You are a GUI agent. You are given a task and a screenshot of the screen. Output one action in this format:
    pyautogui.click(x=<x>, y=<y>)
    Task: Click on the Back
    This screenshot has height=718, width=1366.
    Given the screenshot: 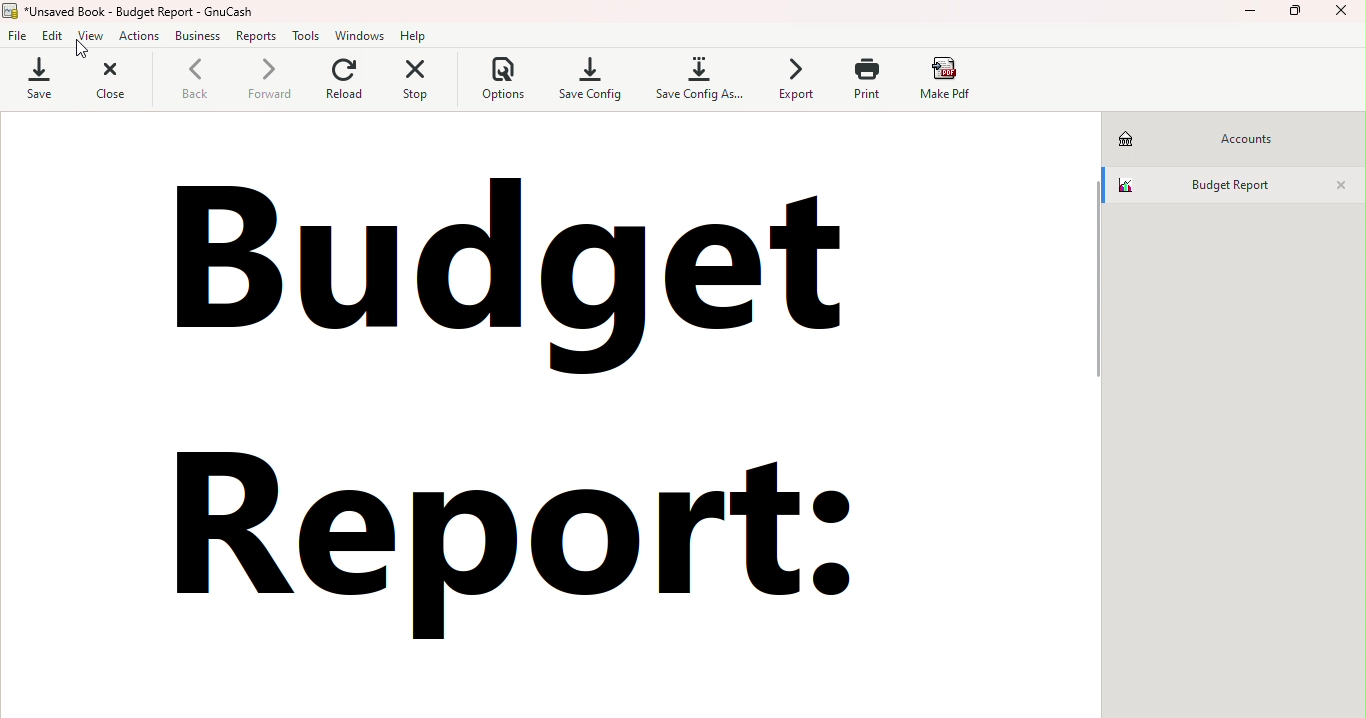 What is the action you would take?
    pyautogui.click(x=187, y=83)
    